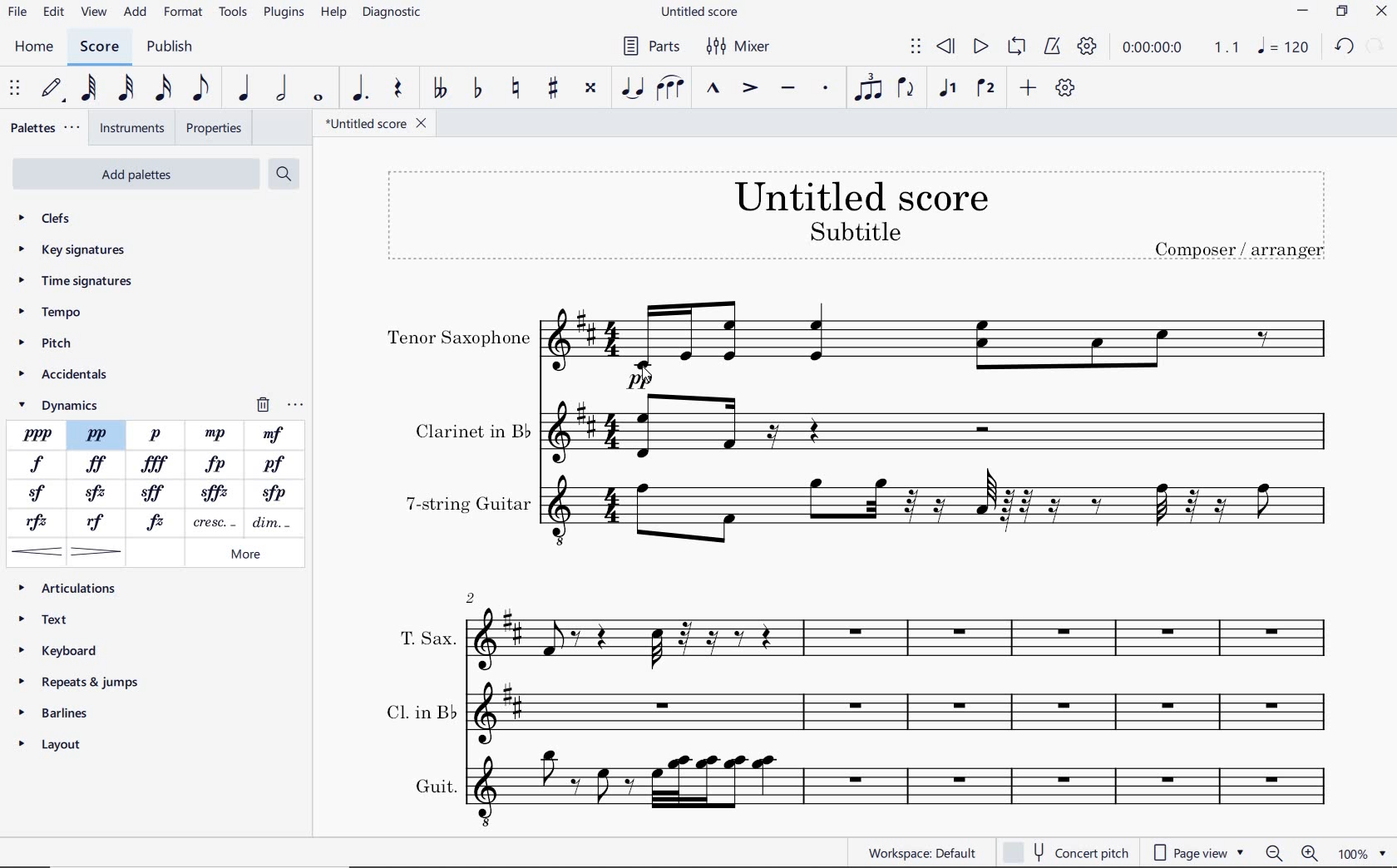  Describe the element at coordinates (1054, 47) in the screenshot. I see `METRONOME` at that location.